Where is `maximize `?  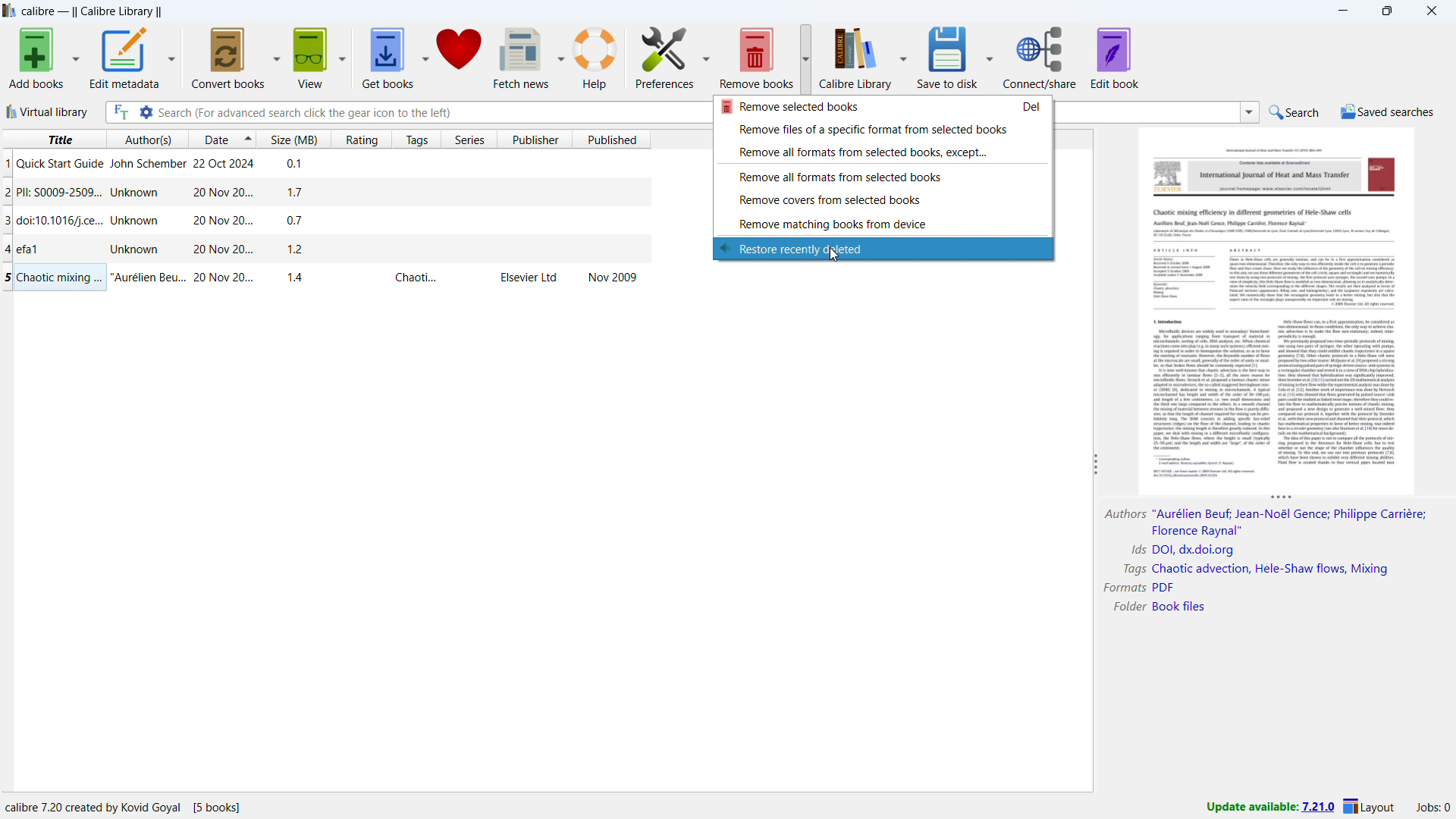 maximize  is located at coordinates (1387, 11).